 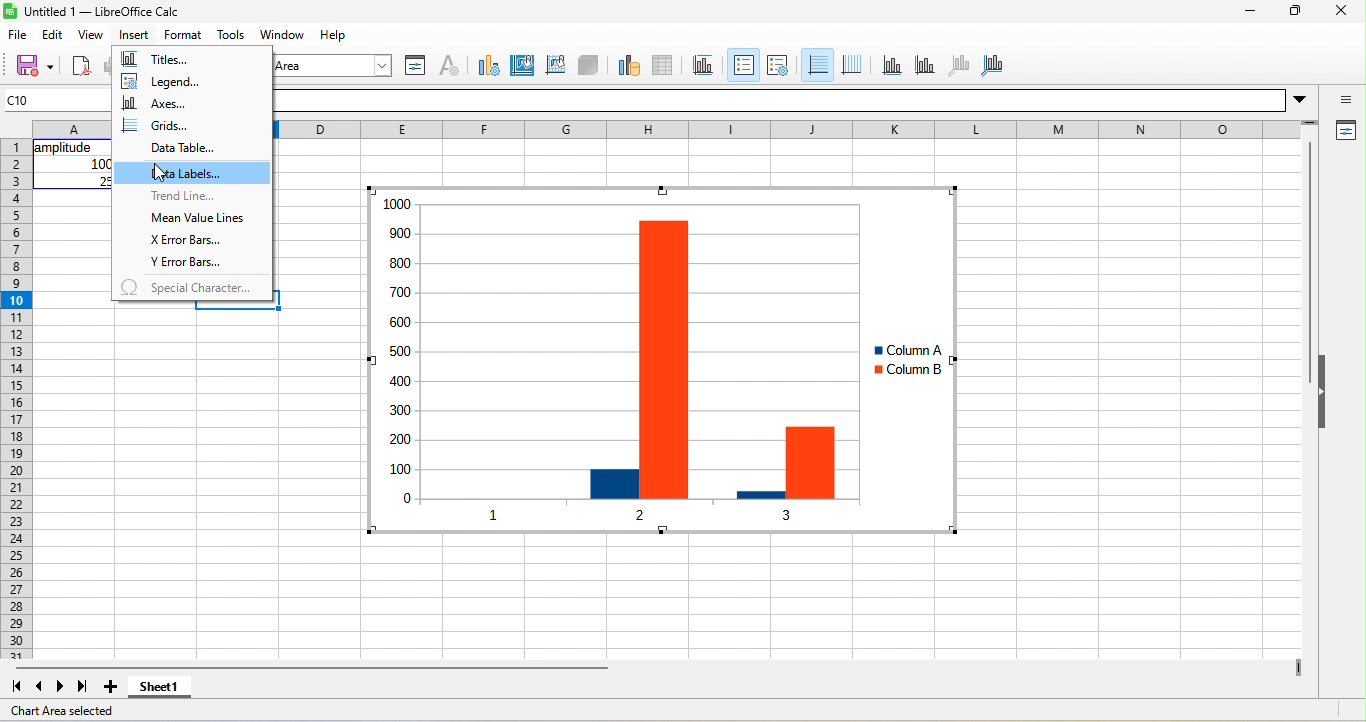 What do you see at coordinates (593, 362) in the screenshot?
I see `chart` at bounding box center [593, 362].